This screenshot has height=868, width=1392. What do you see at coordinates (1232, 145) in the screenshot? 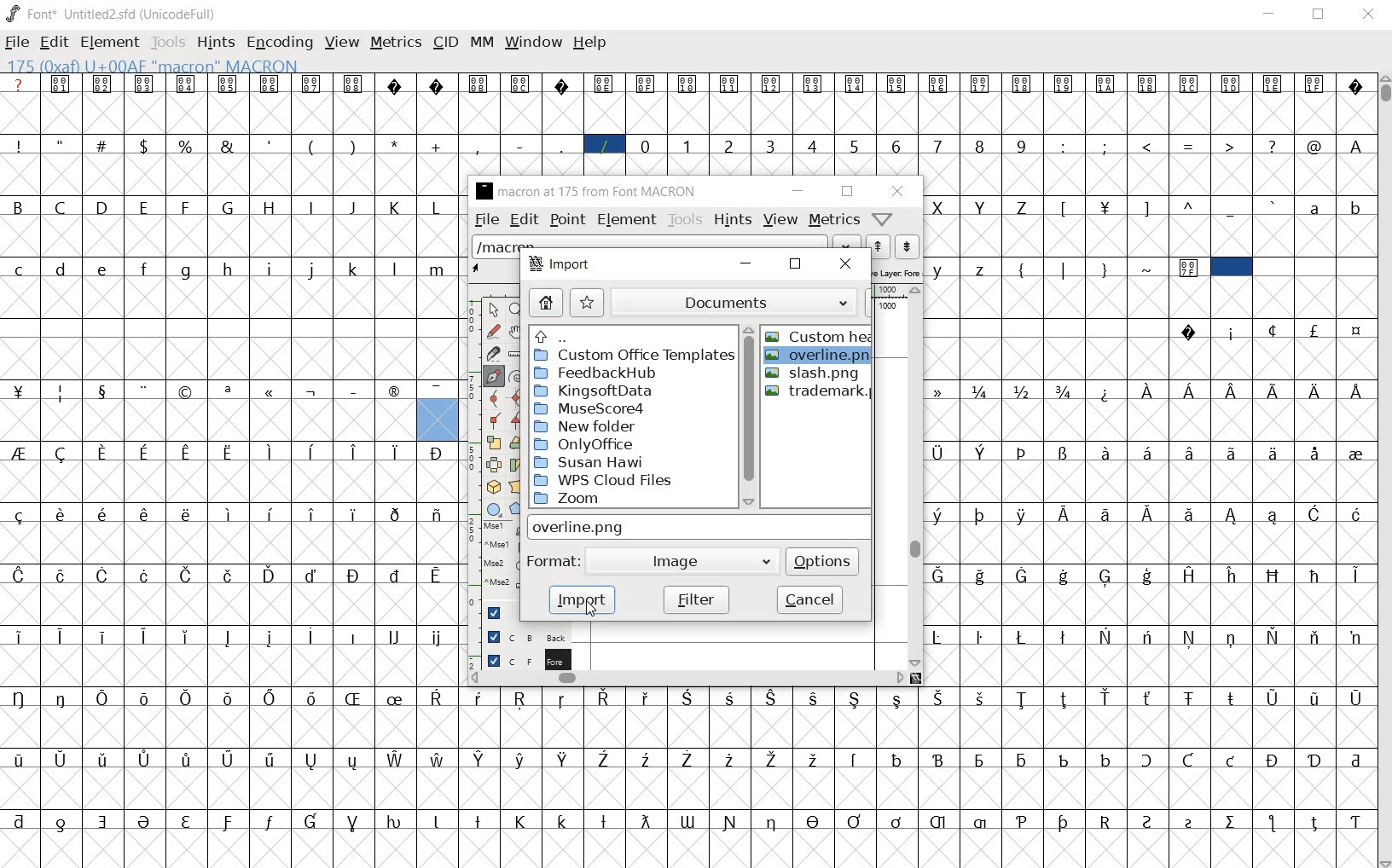
I see `>` at bounding box center [1232, 145].